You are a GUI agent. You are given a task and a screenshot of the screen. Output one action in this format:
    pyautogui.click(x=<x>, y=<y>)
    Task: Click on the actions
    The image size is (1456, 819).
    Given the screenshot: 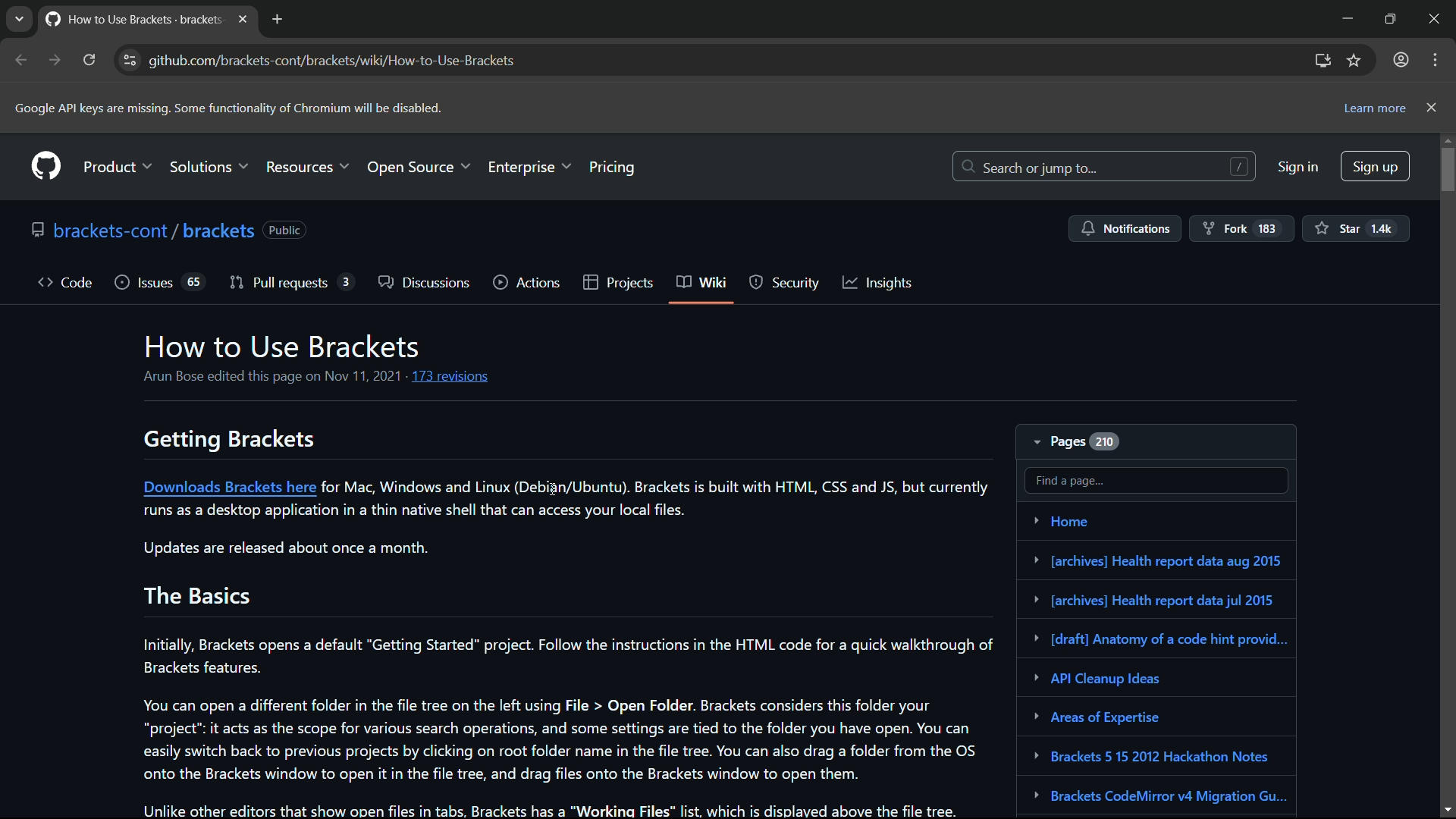 What is the action you would take?
    pyautogui.click(x=526, y=283)
    